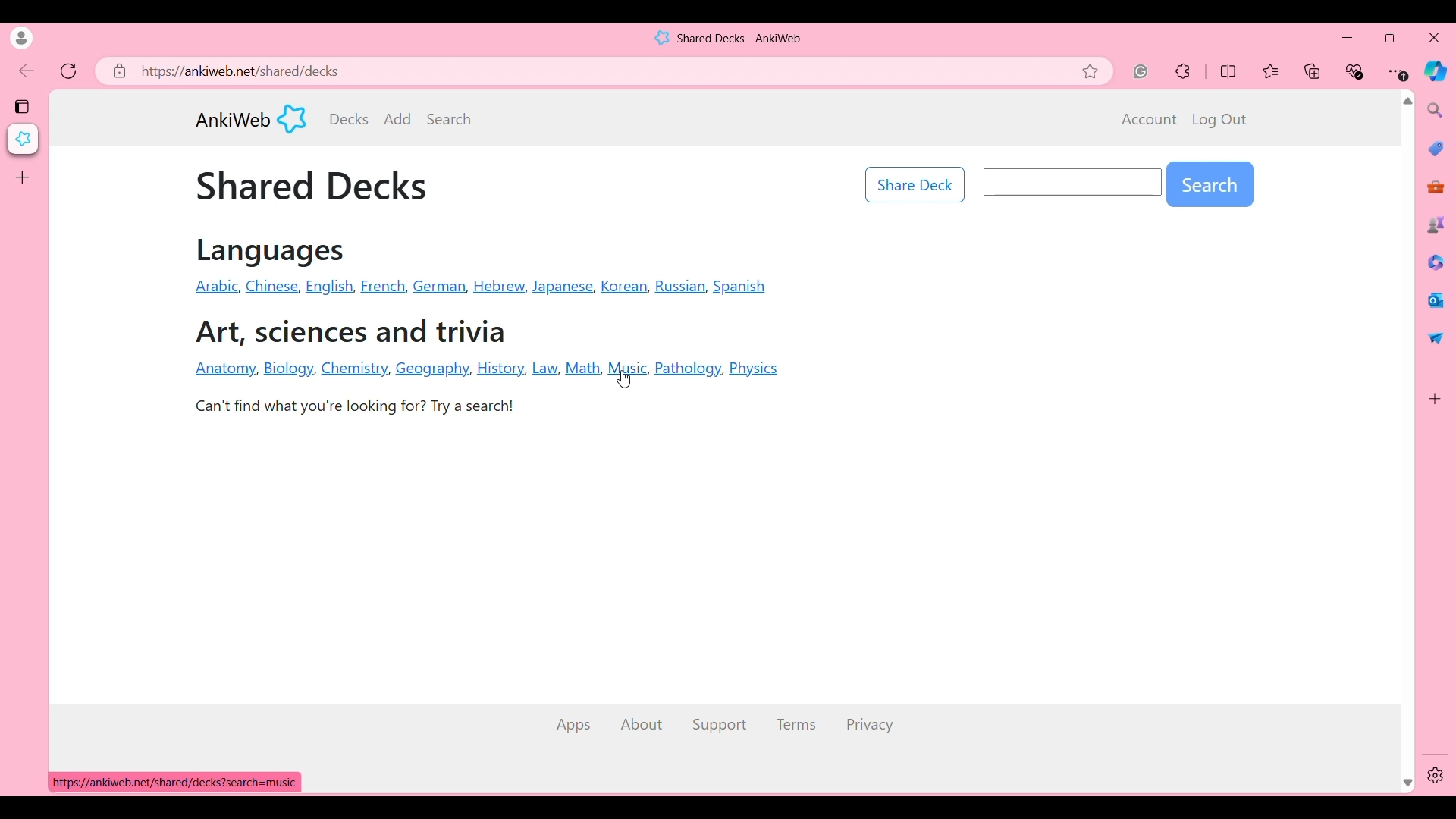 The image size is (1456, 819). What do you see at coordinates (24, 105) in the screenshot?
I see `Tab actions menu` at bounding box center [24, 105].